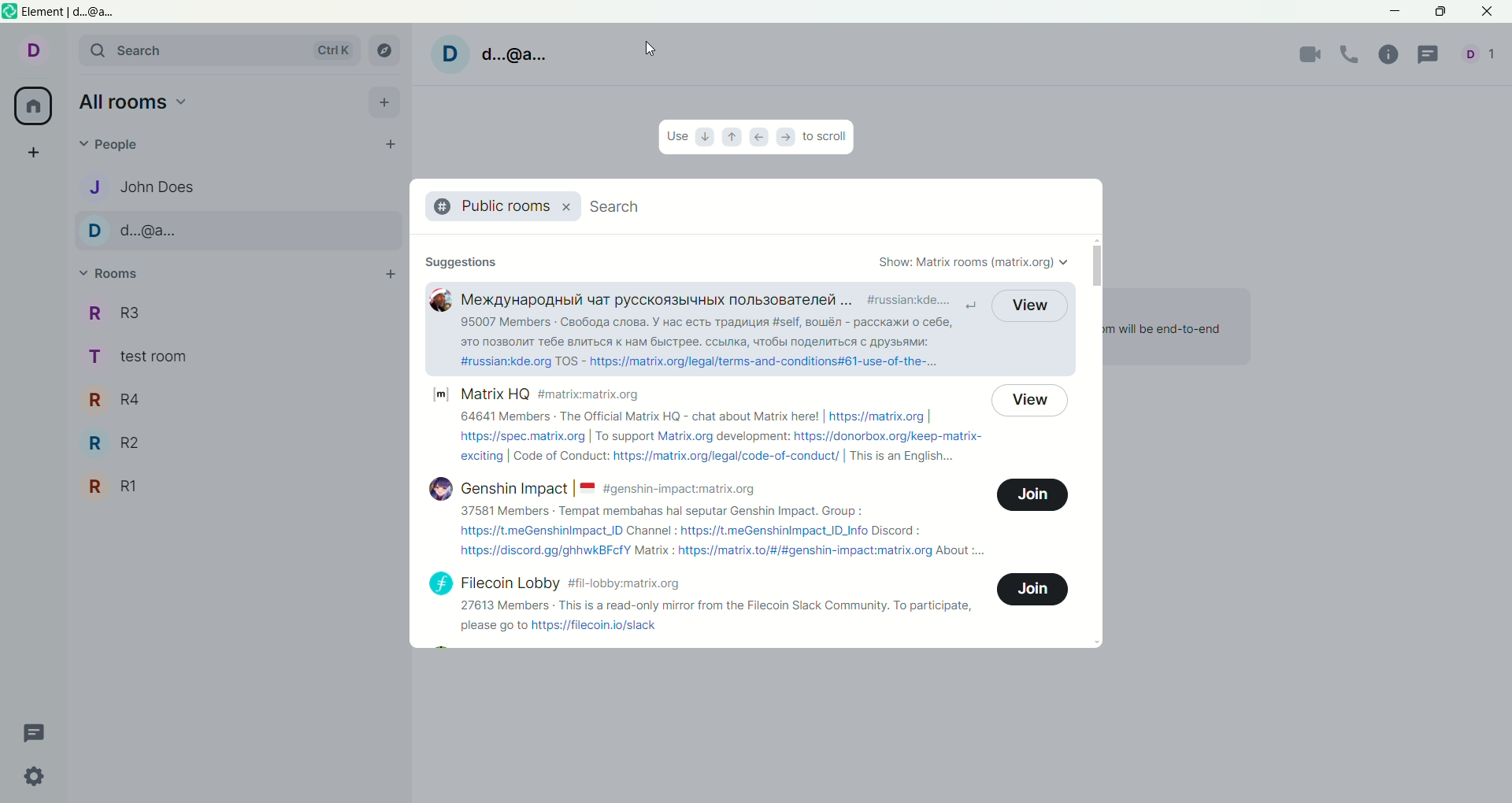 This screenshot has width=1512, height=803. I want to click on Element | d..@a..., so click(69, 12).